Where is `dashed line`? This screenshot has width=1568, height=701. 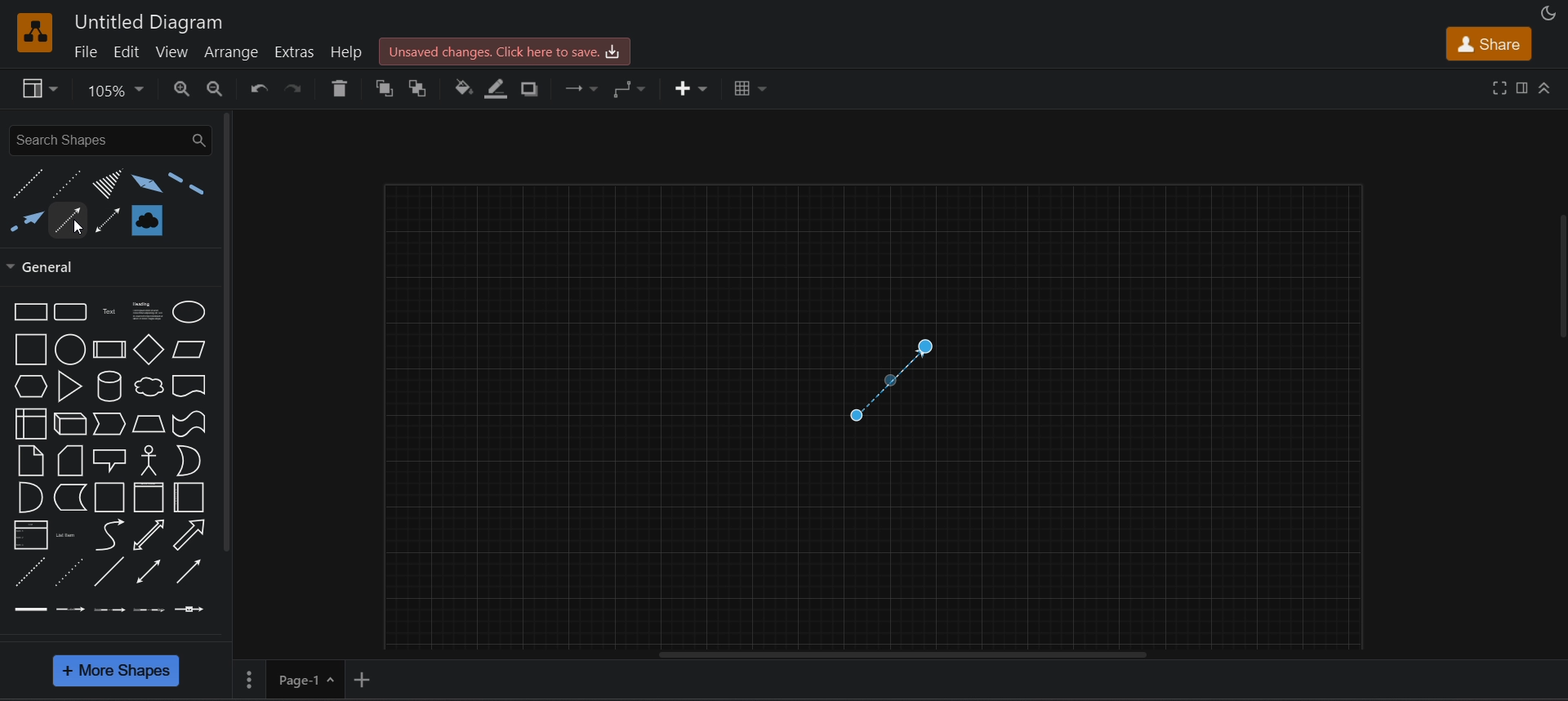 dashed line is located at coordinates (28, 185).